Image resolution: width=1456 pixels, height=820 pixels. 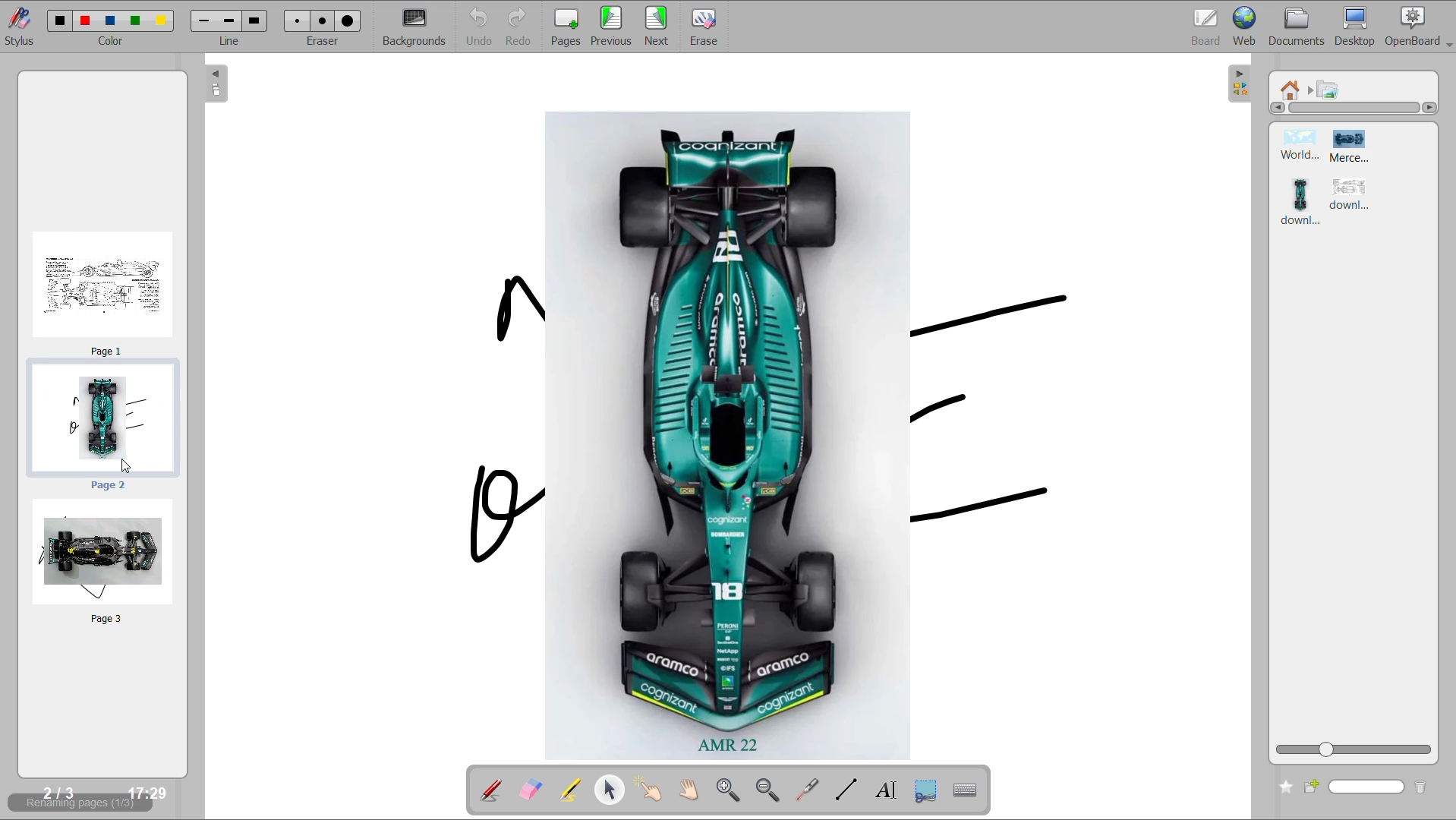 What do you see at coordinates (1353, 748) in the screenshot?
I see `zoom slider` at bounding box center [1353, 748].